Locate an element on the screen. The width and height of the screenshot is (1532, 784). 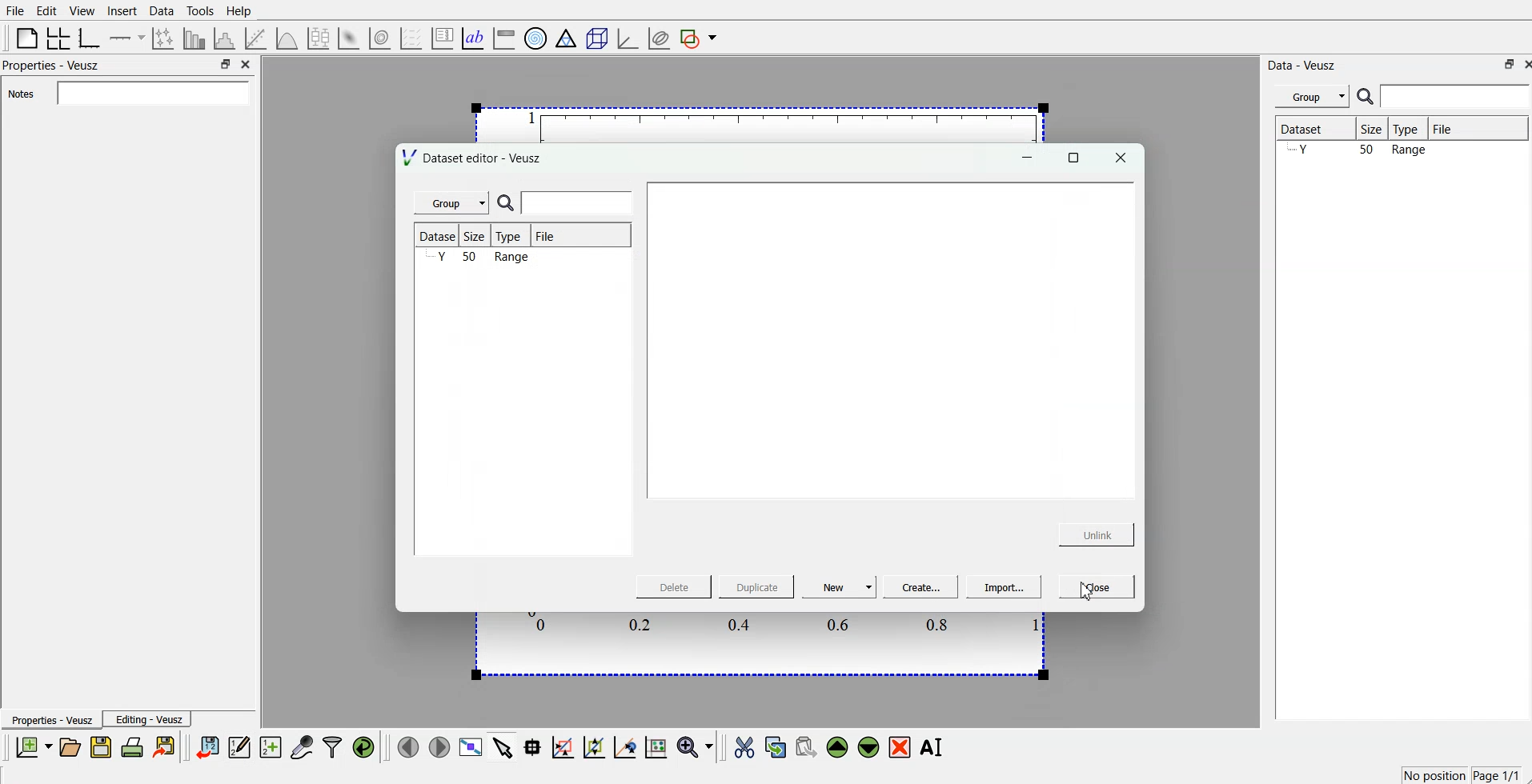
Data is located at coordinates (162, 11).